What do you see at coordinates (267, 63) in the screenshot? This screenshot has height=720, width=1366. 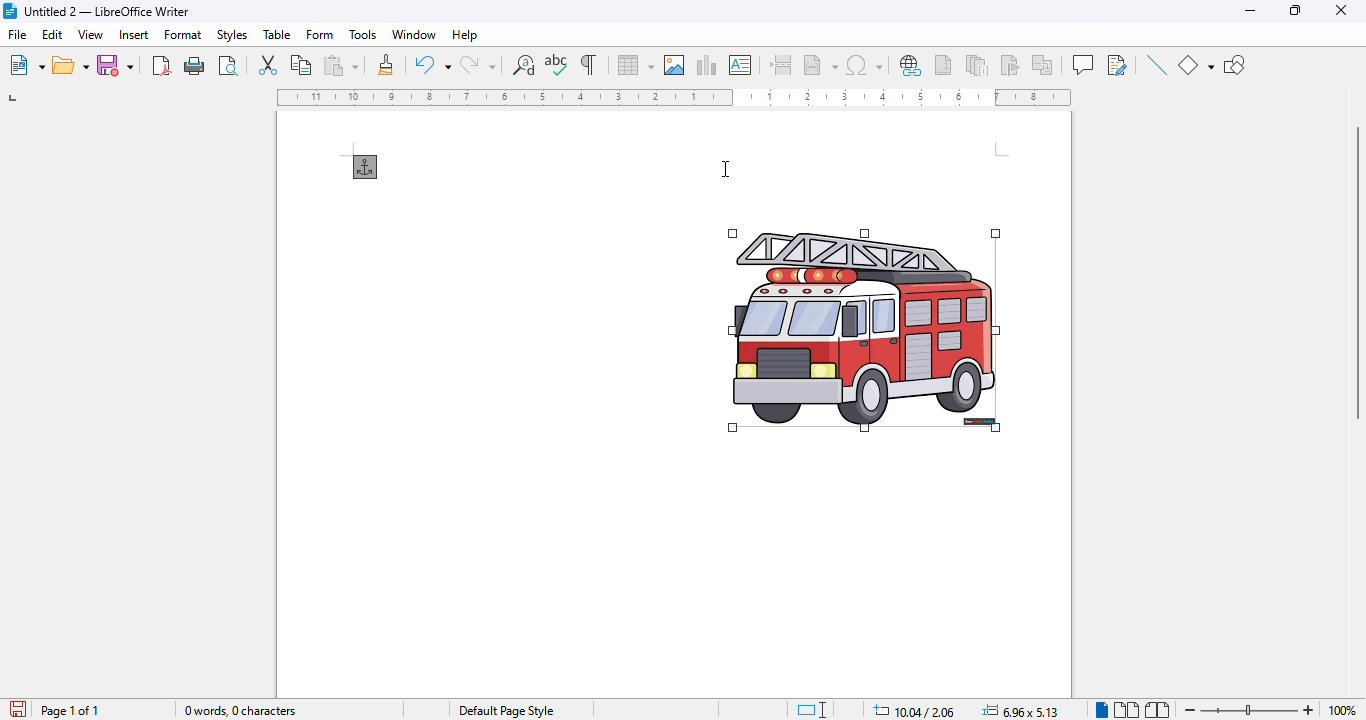 I see `cut` at bounding box center [267, 63].